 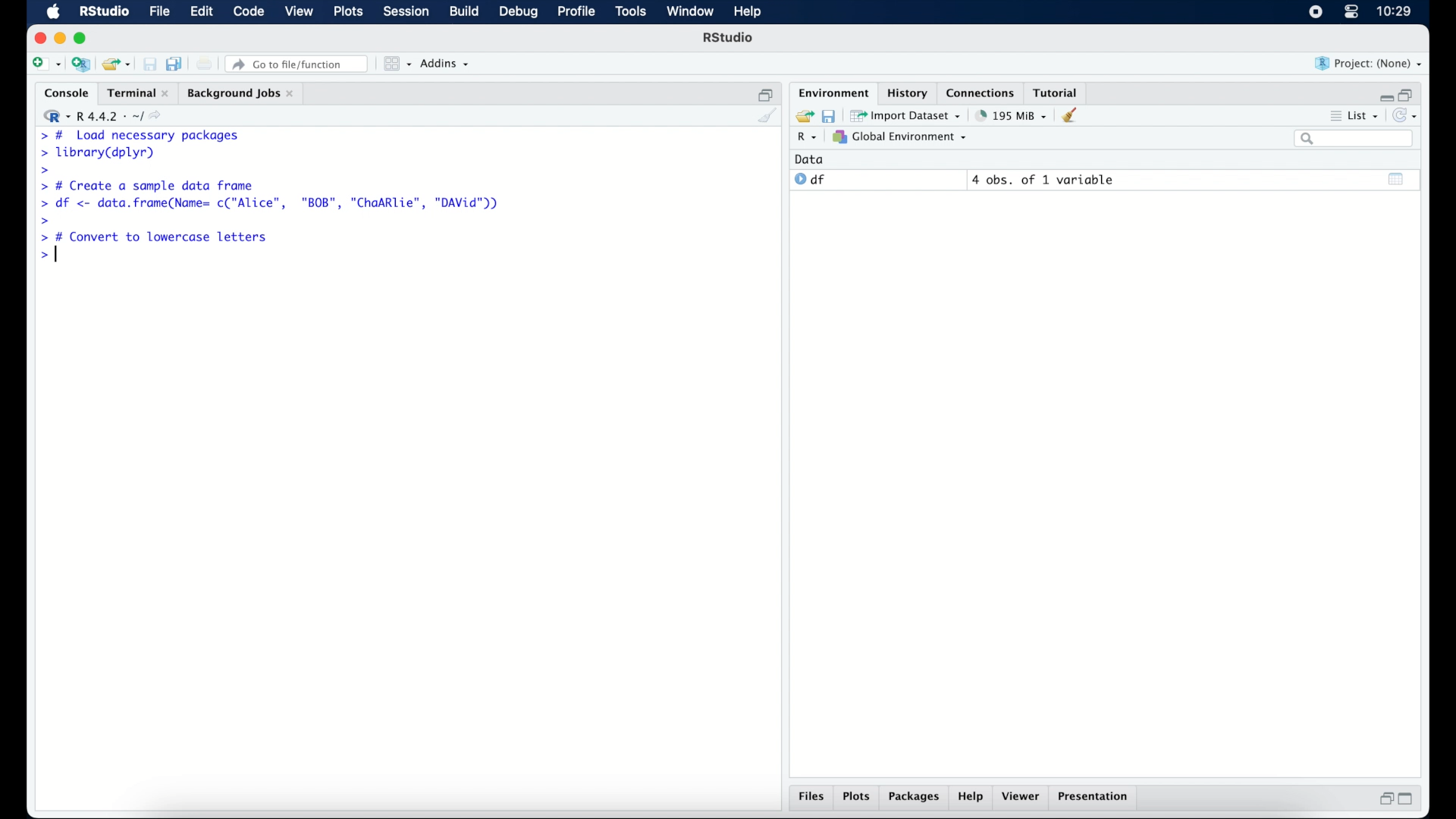 I want to click on viewer, so click(x=1024, y=798).